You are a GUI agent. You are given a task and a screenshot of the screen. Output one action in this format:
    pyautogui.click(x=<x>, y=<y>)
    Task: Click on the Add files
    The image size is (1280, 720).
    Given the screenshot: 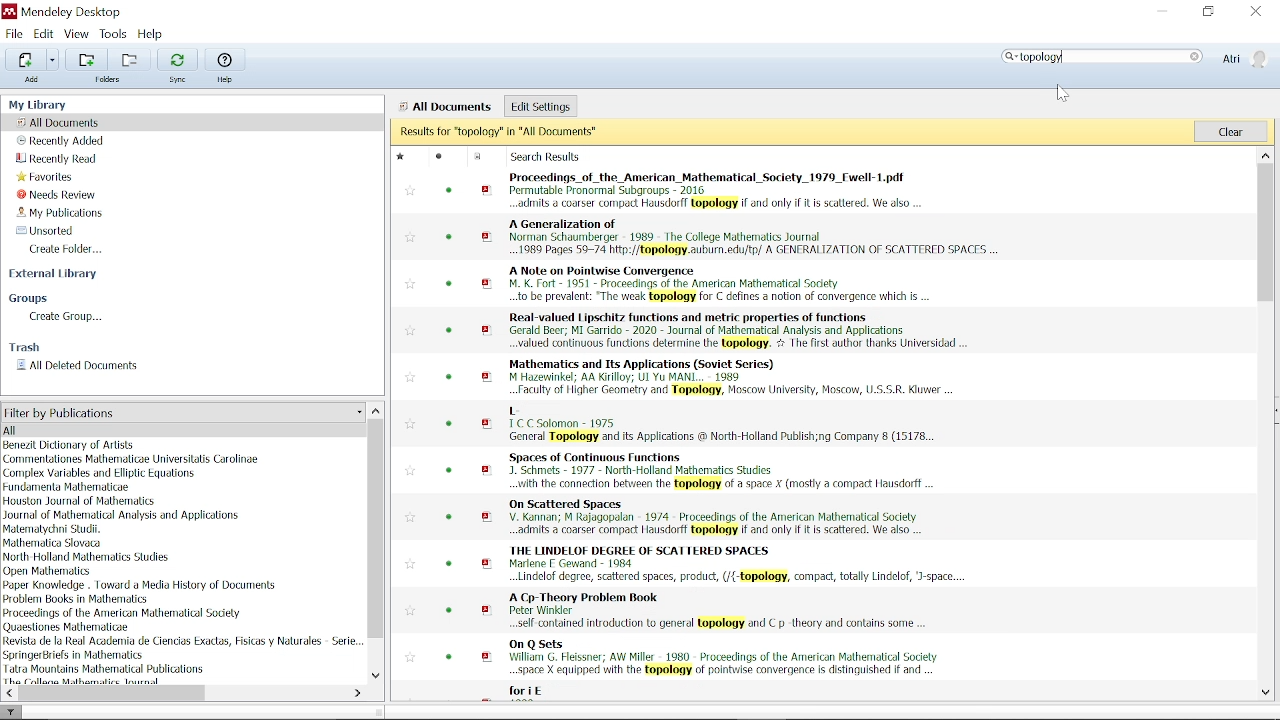 What is the action you would take?
    pyautogui.click(x=23, y=60)
    